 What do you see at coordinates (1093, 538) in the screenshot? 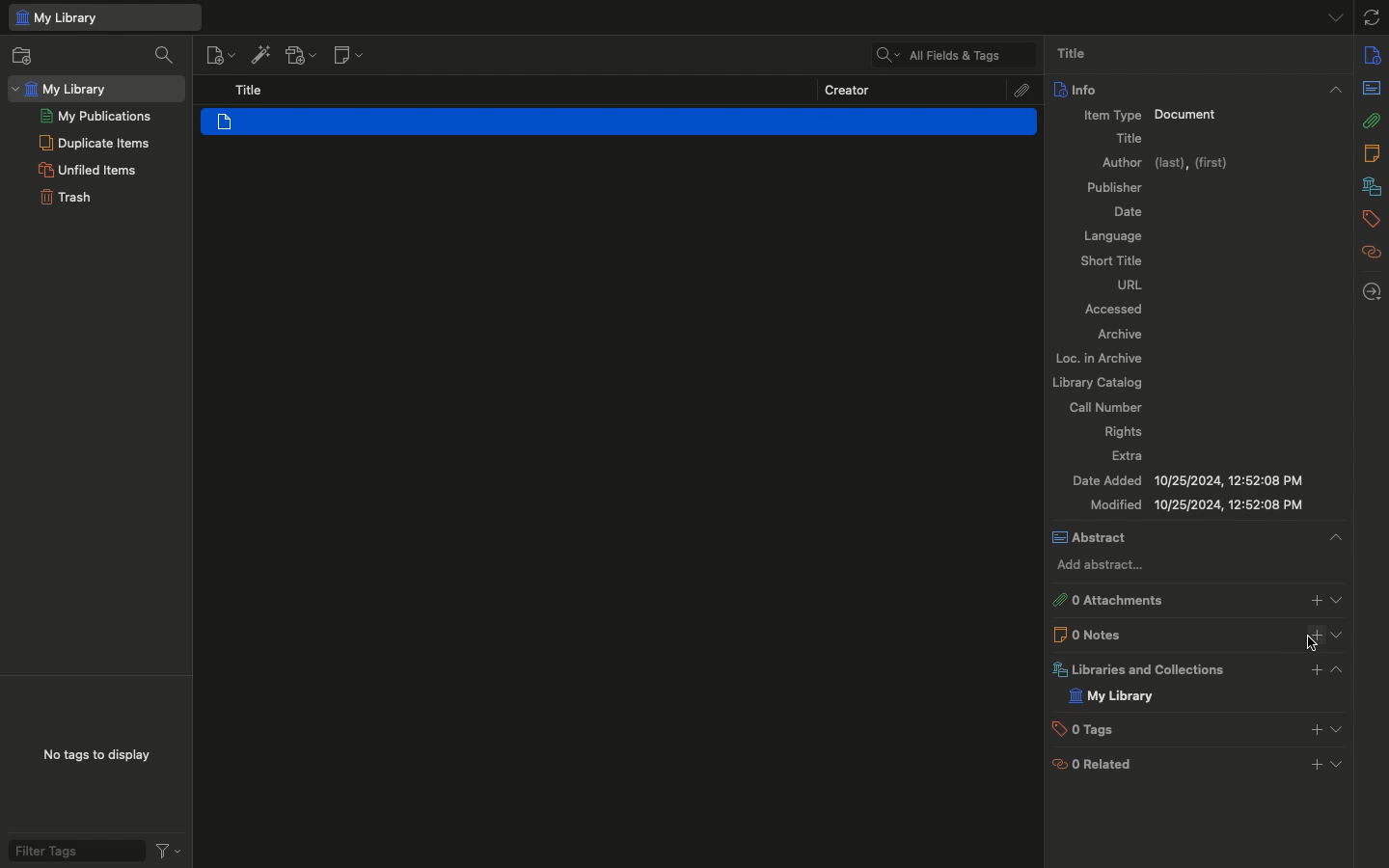
I see `Abstract` at bounding box center [1093, 538].